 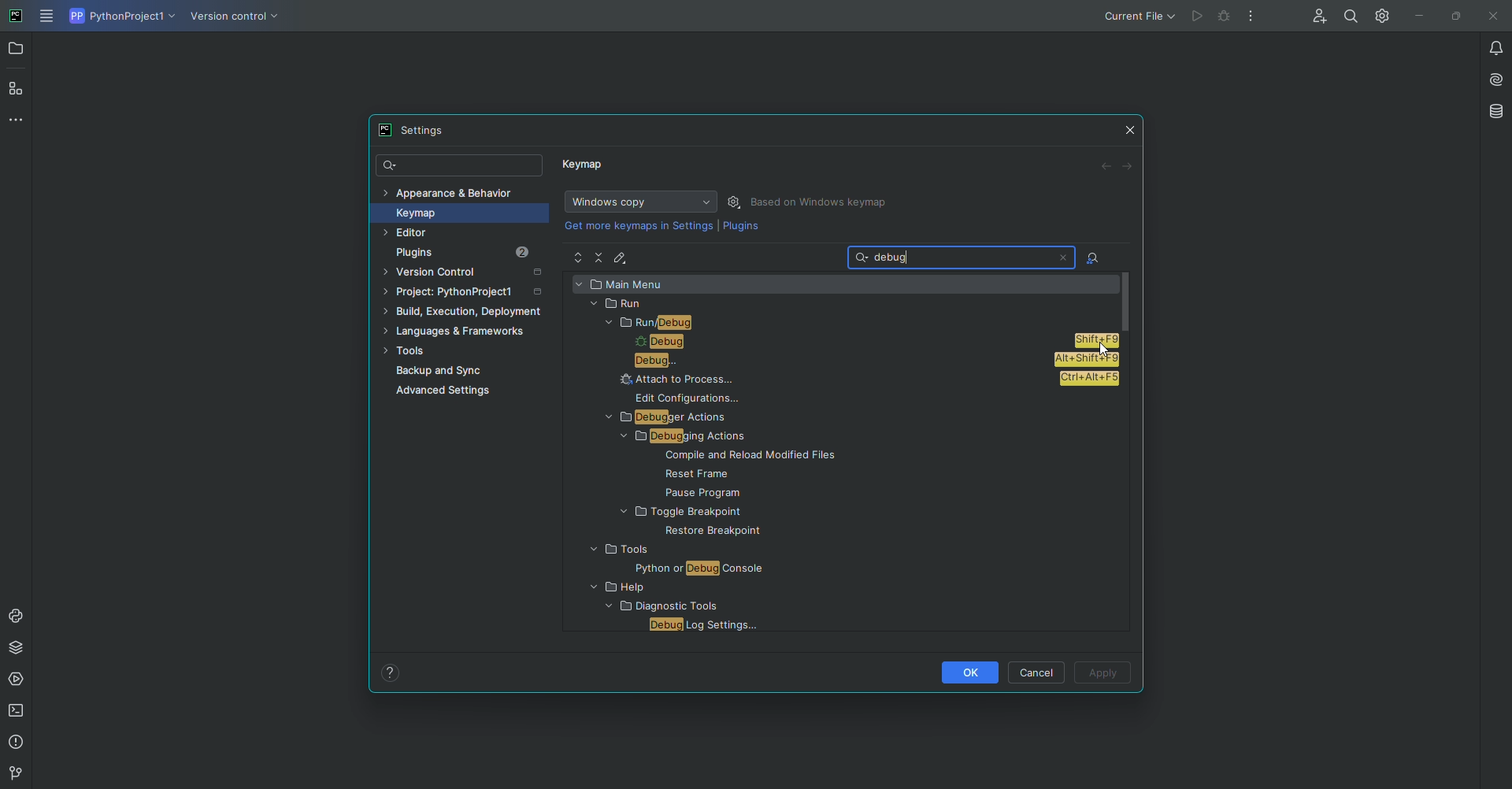 I want to click on DEBUGGING ACTIONS, so click(x=689, y=438).